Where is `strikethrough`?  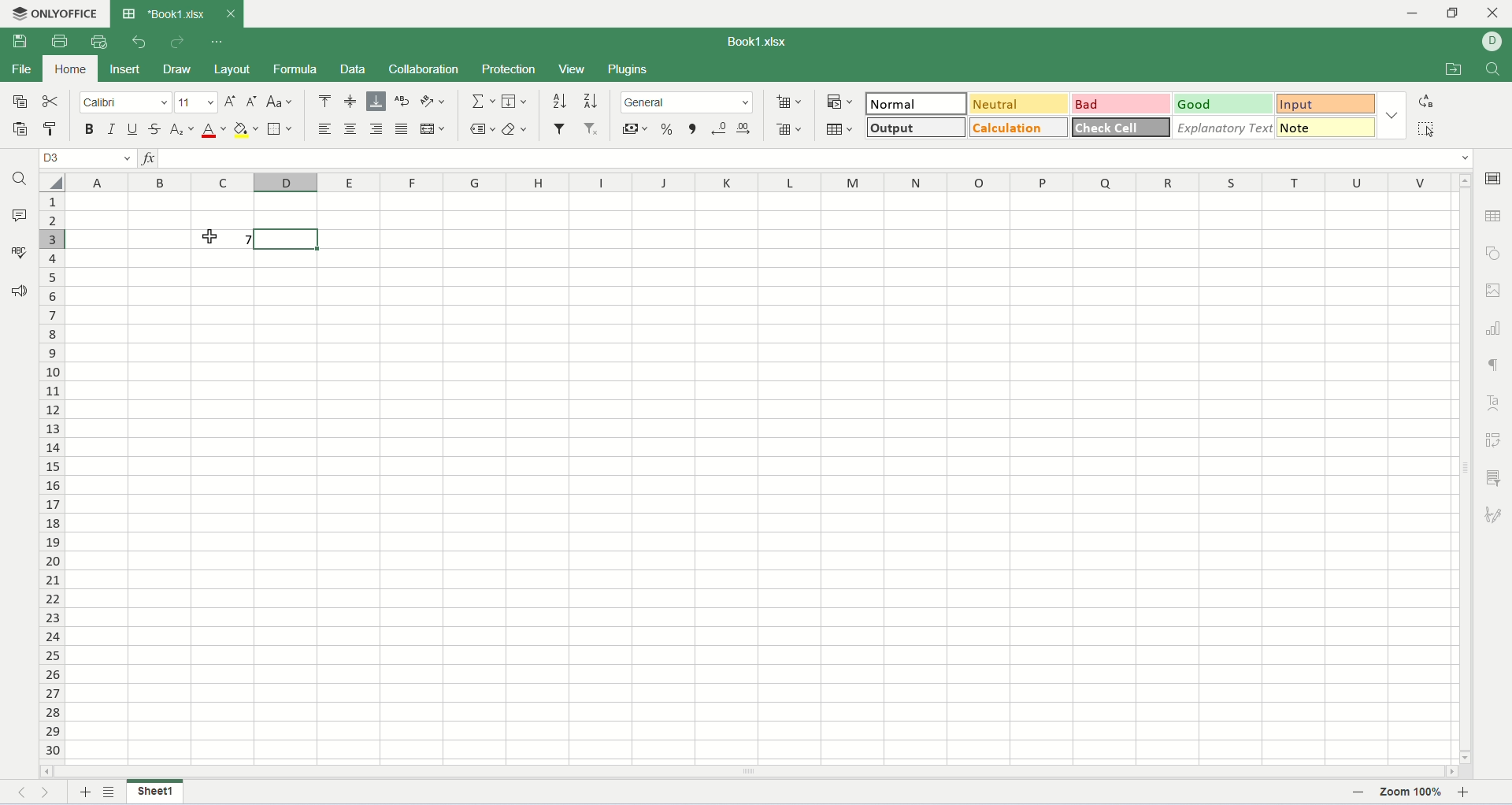 strikethrough is located at coordinates (154, 128).